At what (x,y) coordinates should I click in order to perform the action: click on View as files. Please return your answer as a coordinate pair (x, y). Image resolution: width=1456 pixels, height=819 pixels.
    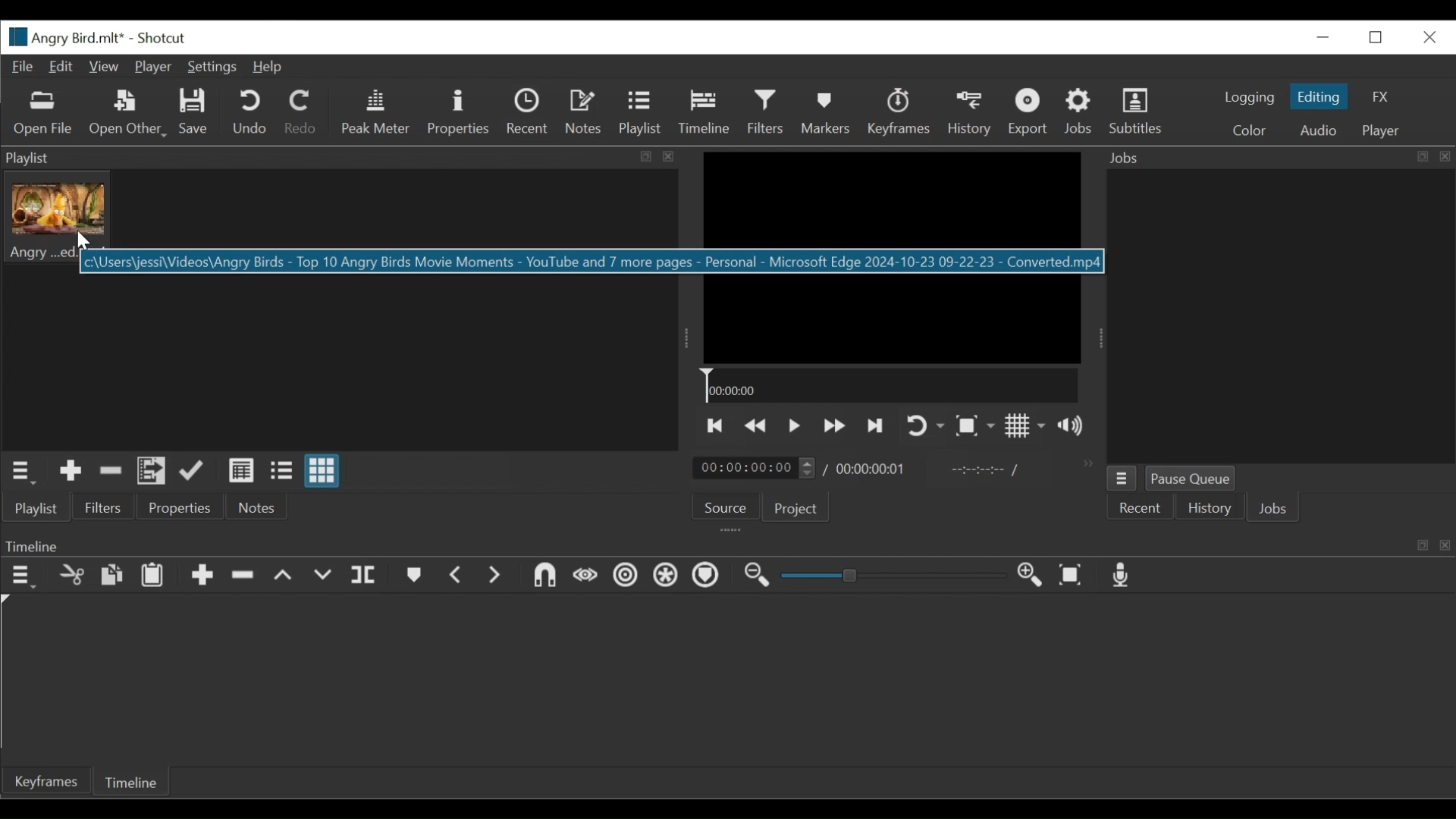
    Looking at the image, I should click on (281, 470).